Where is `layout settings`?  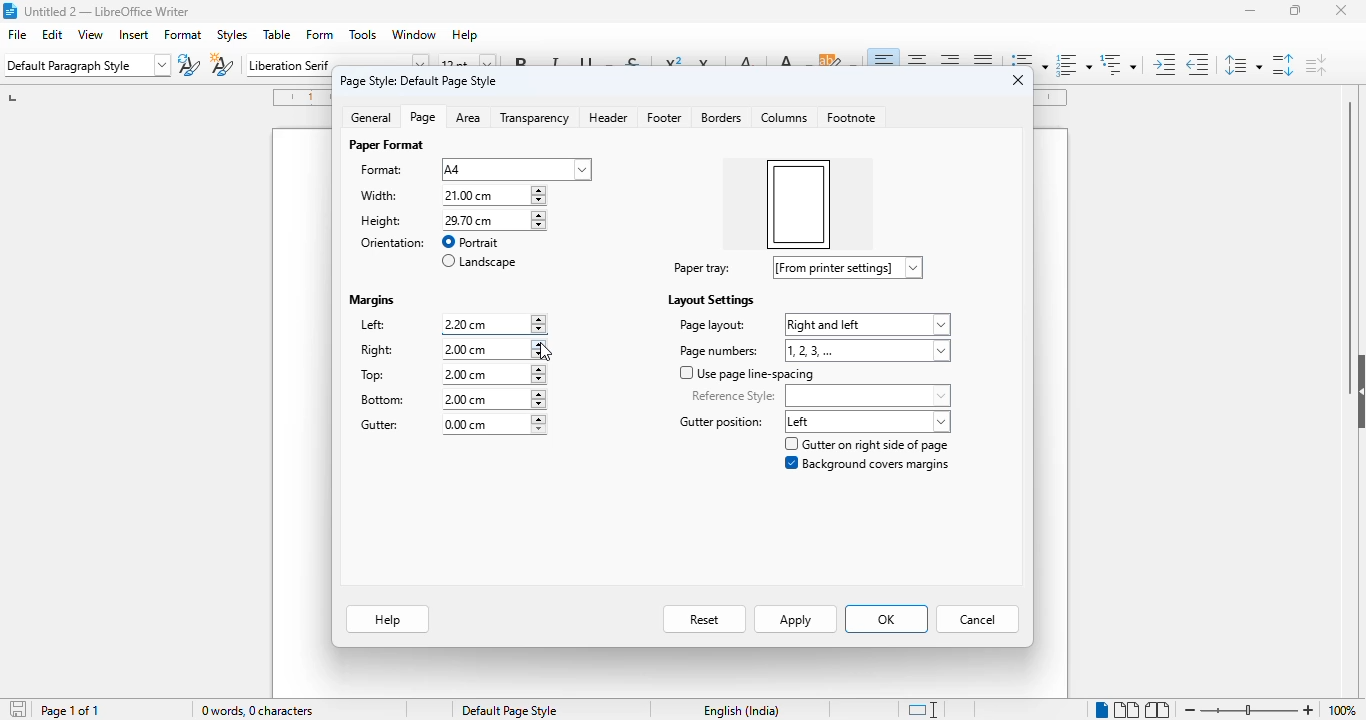 layout settings is located at coordinates (713, 300).